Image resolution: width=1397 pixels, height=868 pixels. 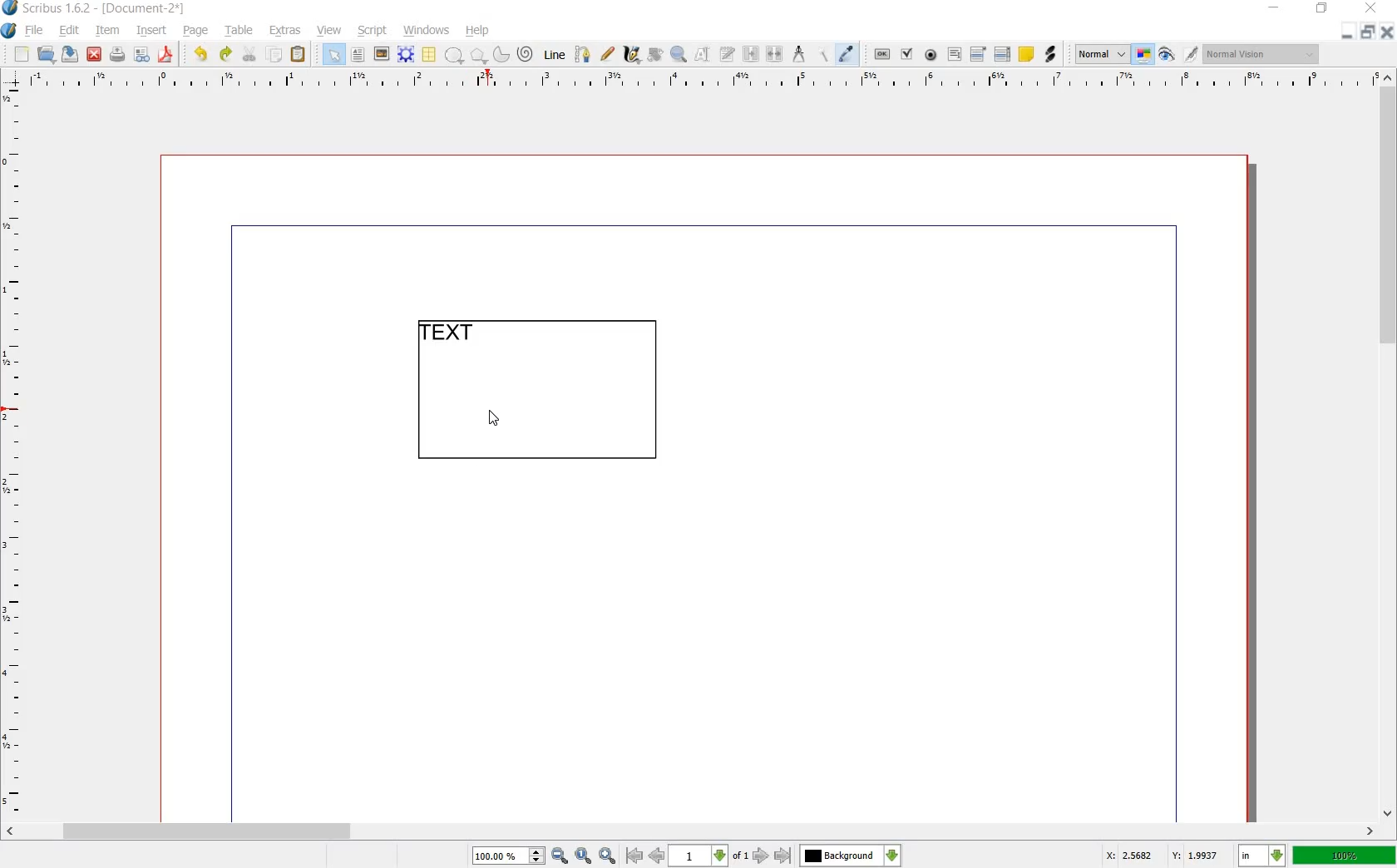 I want to click on measurement, so click(x=800, y=53).